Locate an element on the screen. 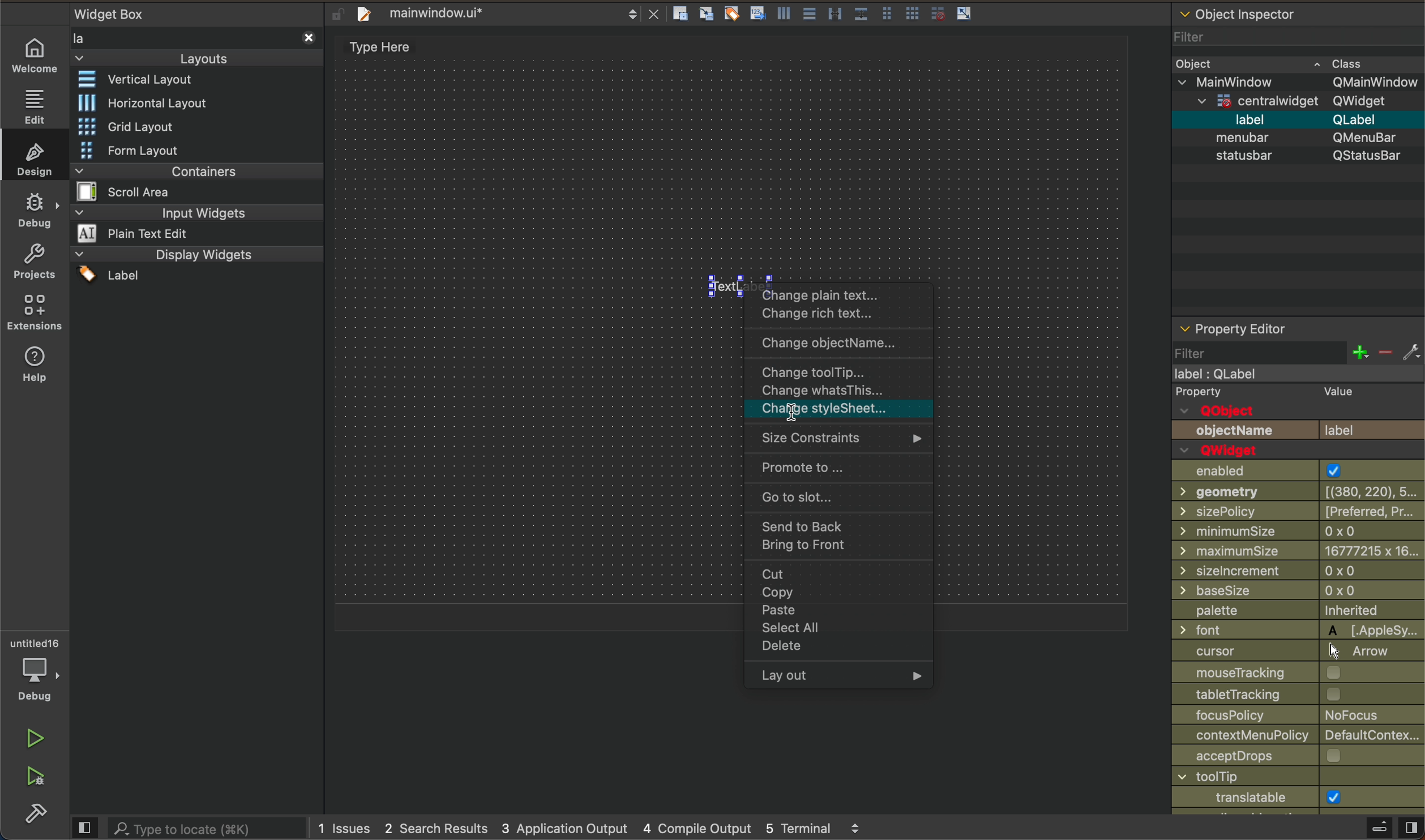  4 compile output is located at coordinates (697, 826).